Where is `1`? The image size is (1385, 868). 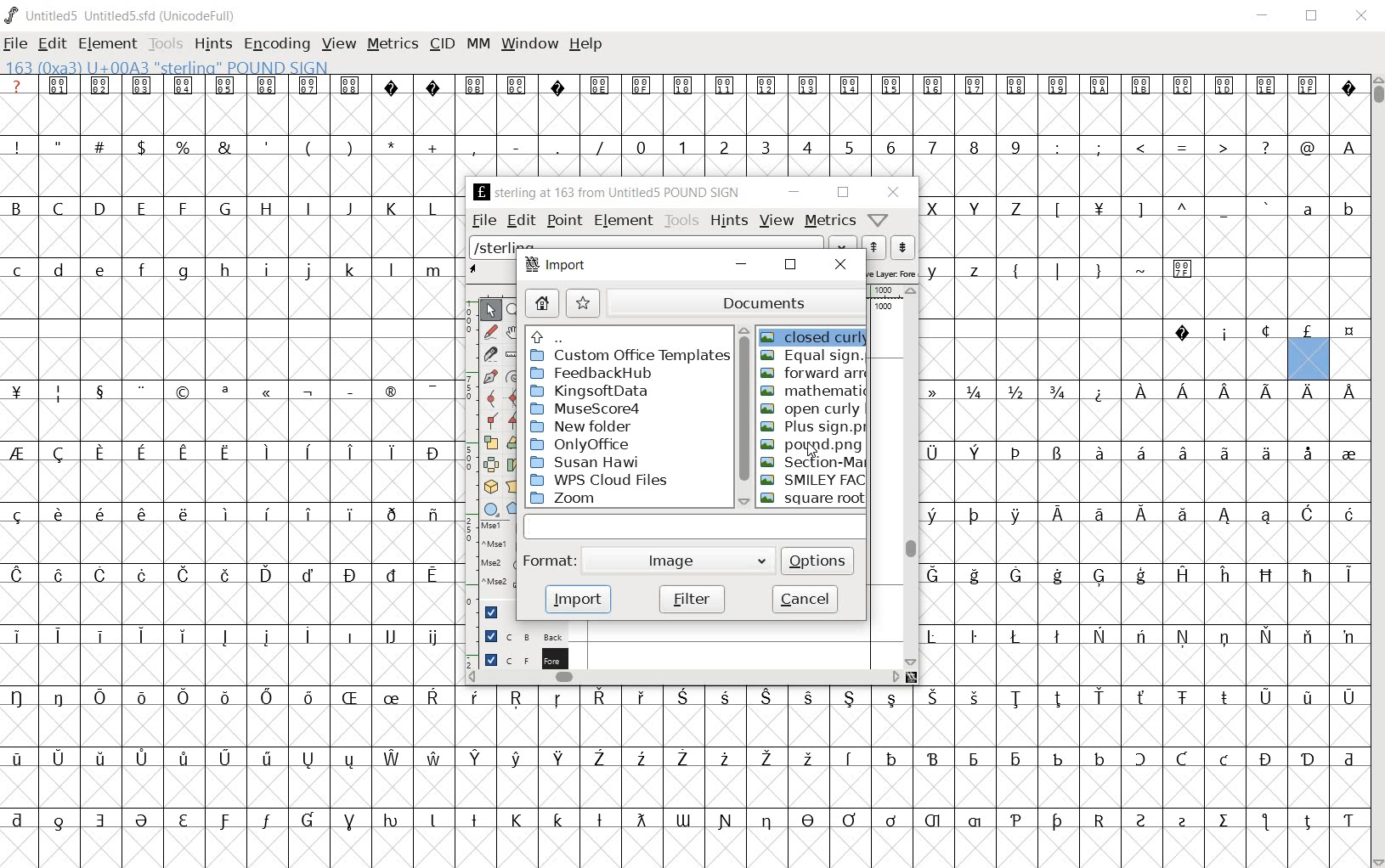 1 is located at coordinates (681, 146).